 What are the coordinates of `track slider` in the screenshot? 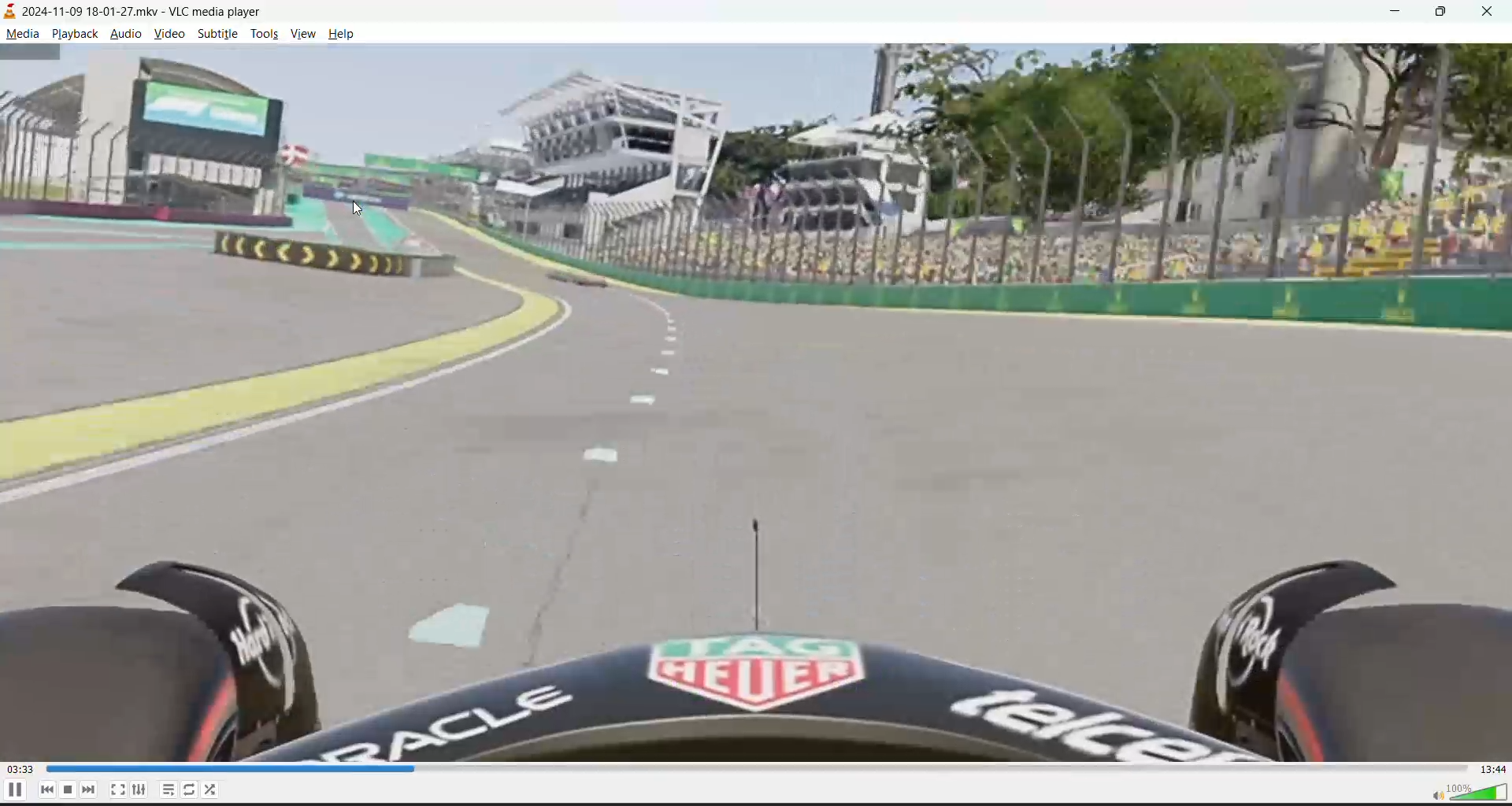 It's located at (750, 769).